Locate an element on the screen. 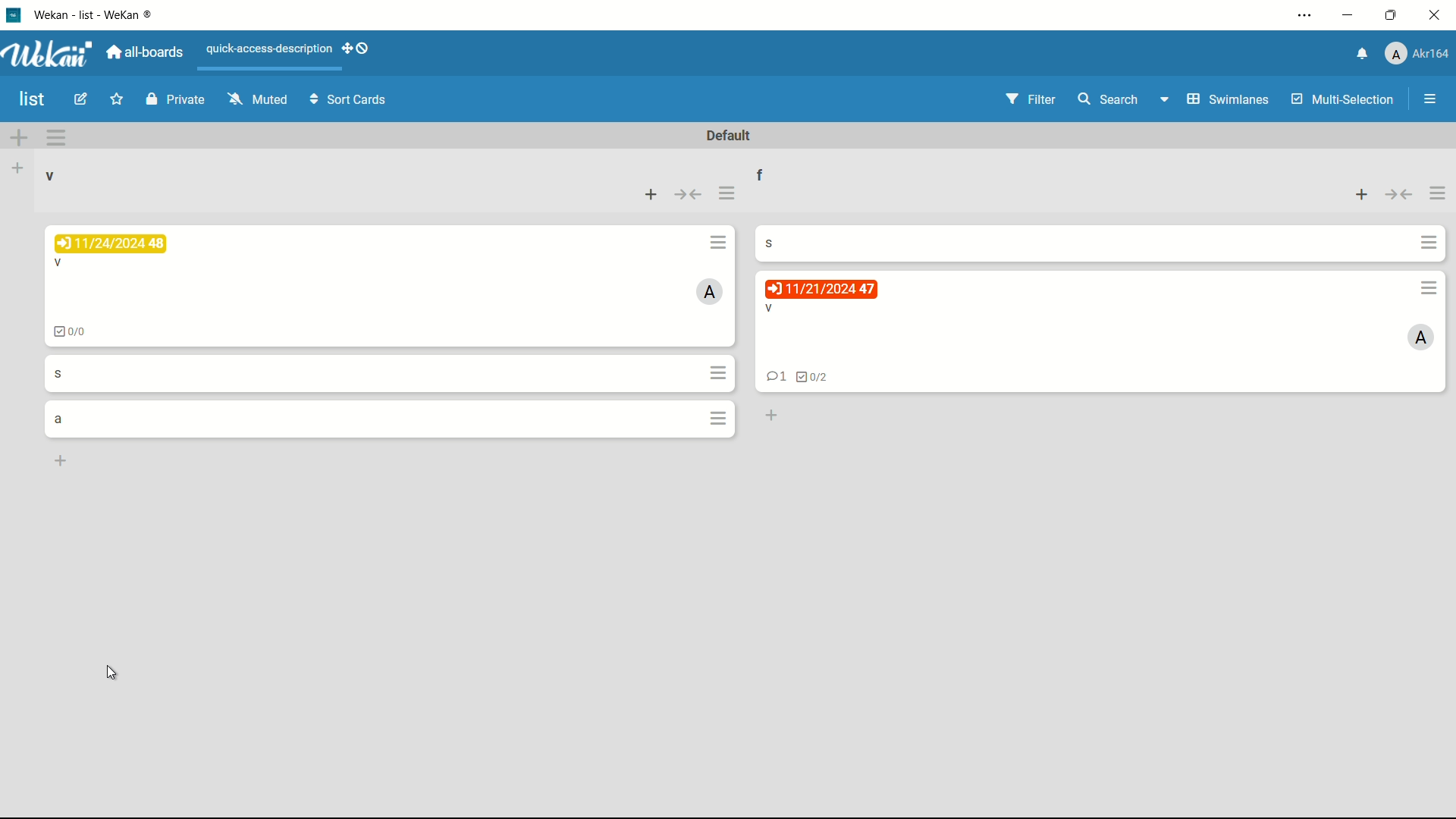  sort cards is located at coordinates (350, 102).